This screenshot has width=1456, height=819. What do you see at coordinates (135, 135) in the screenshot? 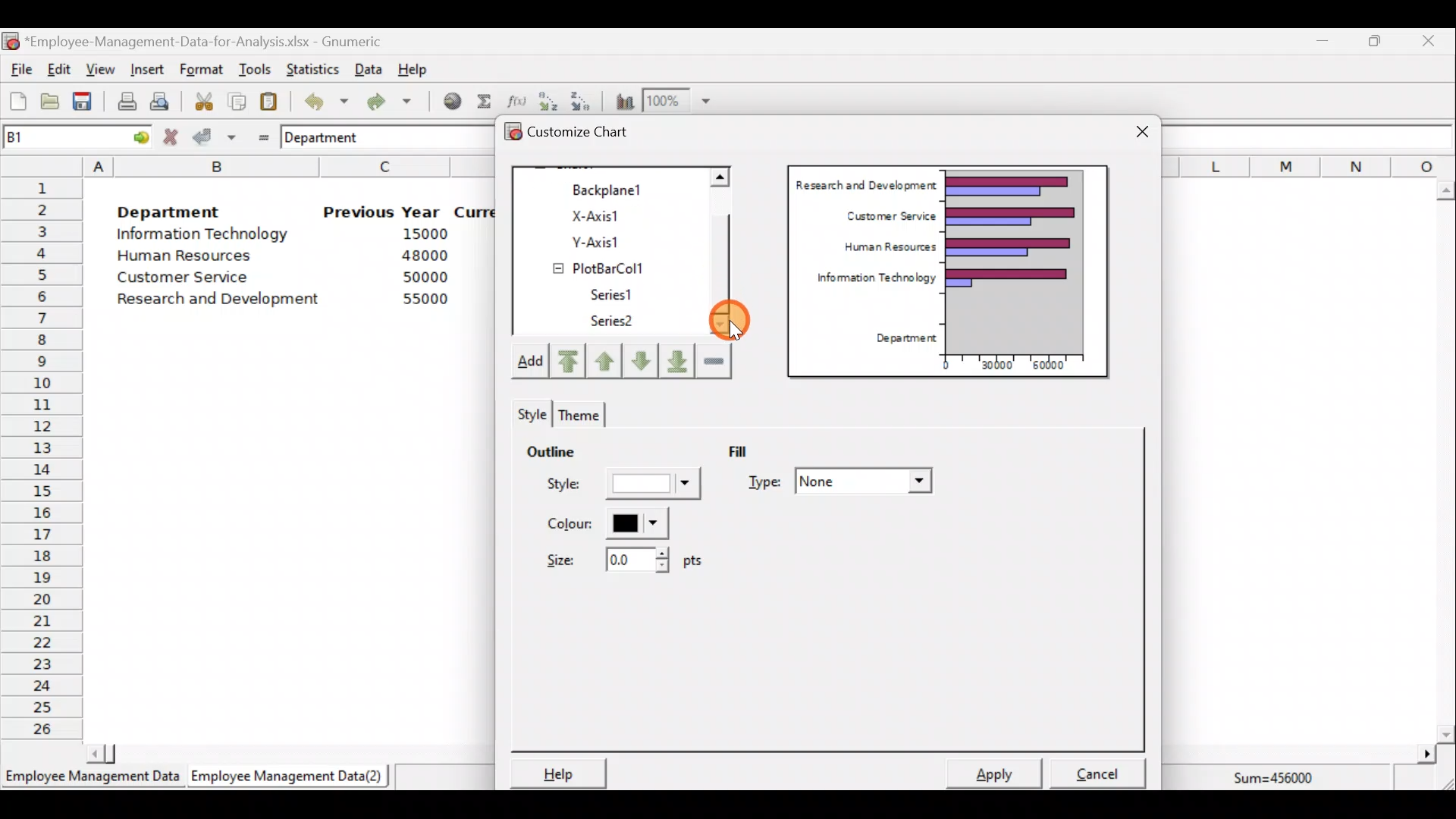
I see `go to` at bounding box center [135, 135].